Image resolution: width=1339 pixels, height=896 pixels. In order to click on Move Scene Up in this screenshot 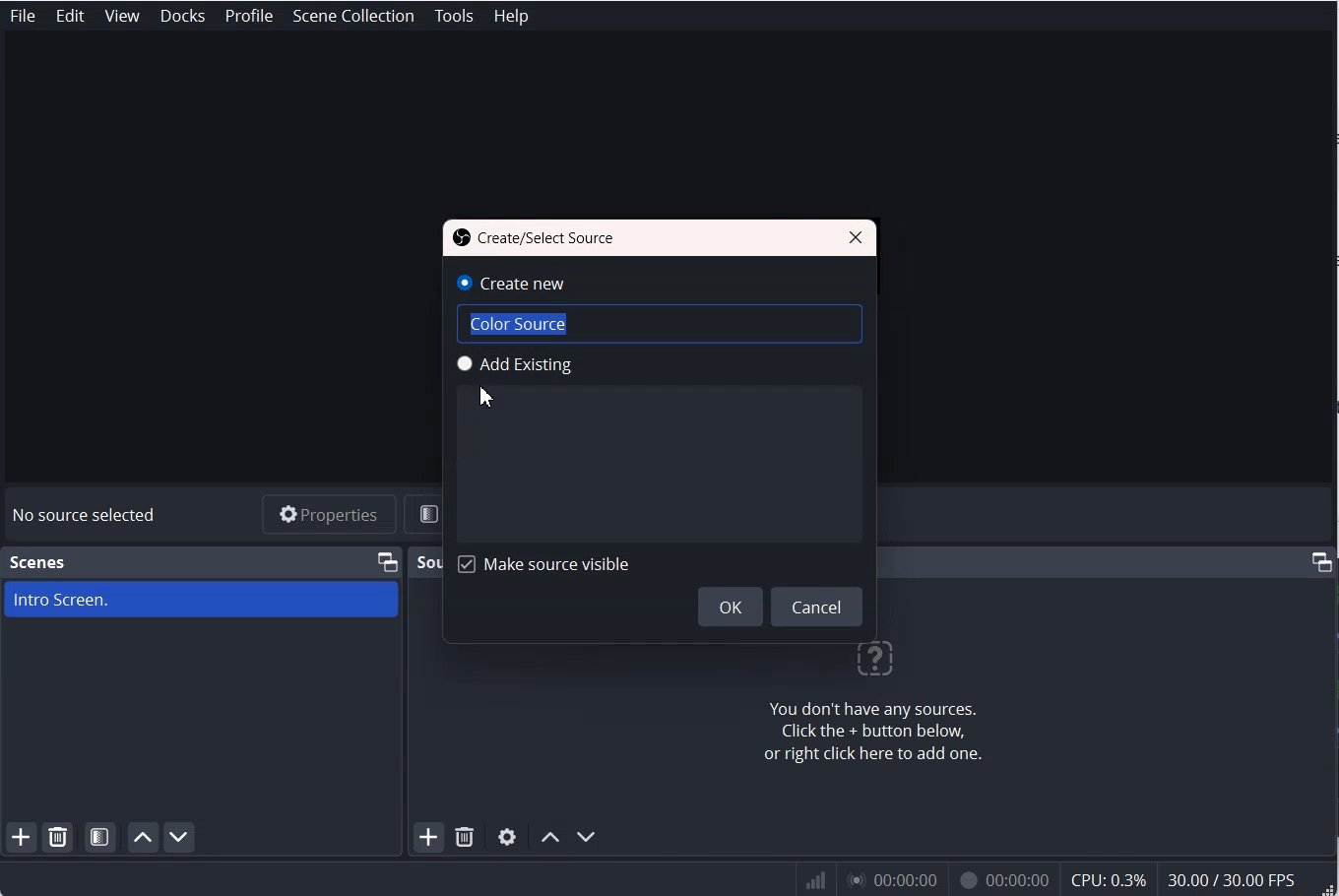, I will do `click(143, 838)`.